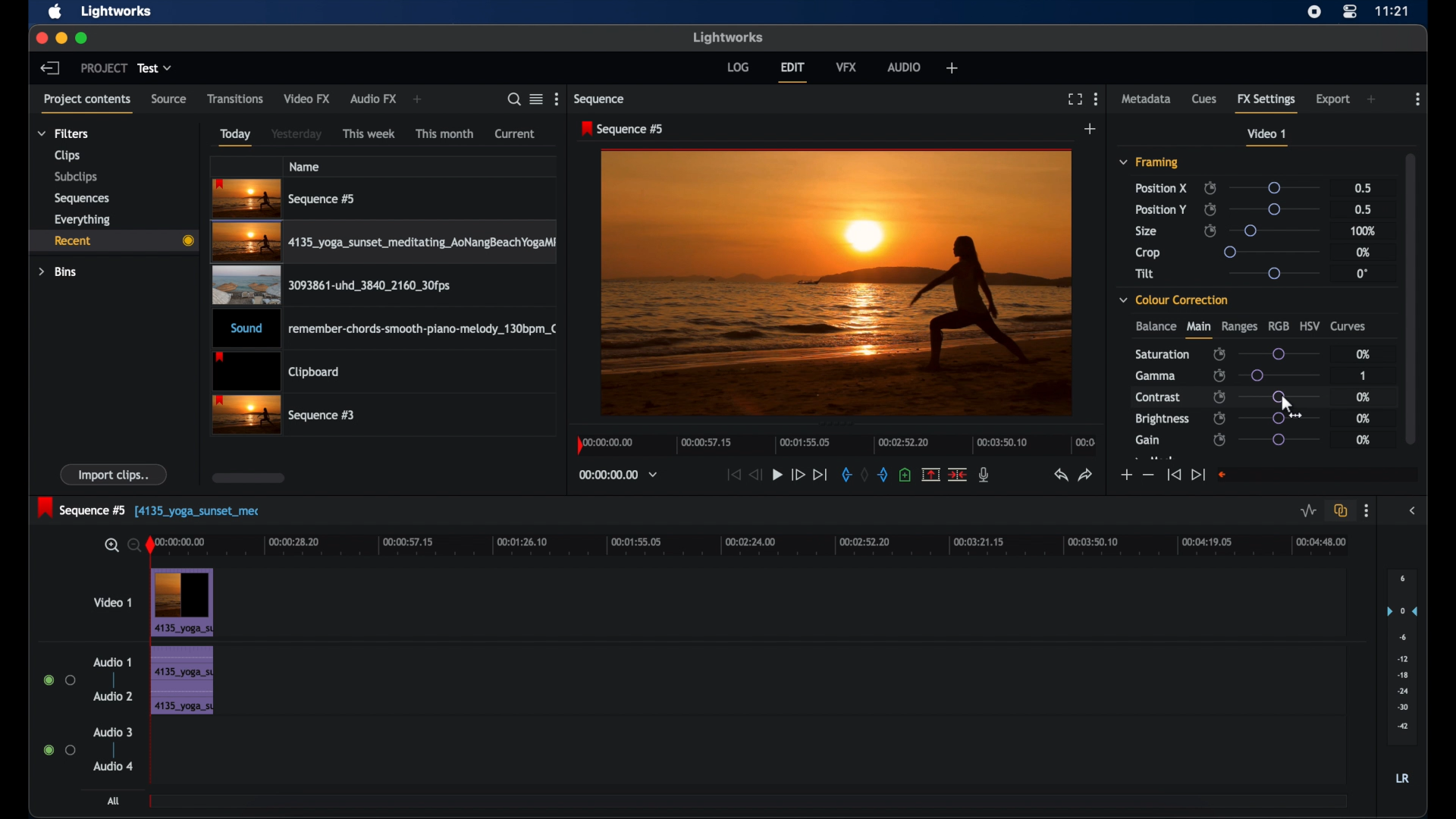 This screenshot has height=819, width=1456. I want to click on 0, so click(1362, 274).